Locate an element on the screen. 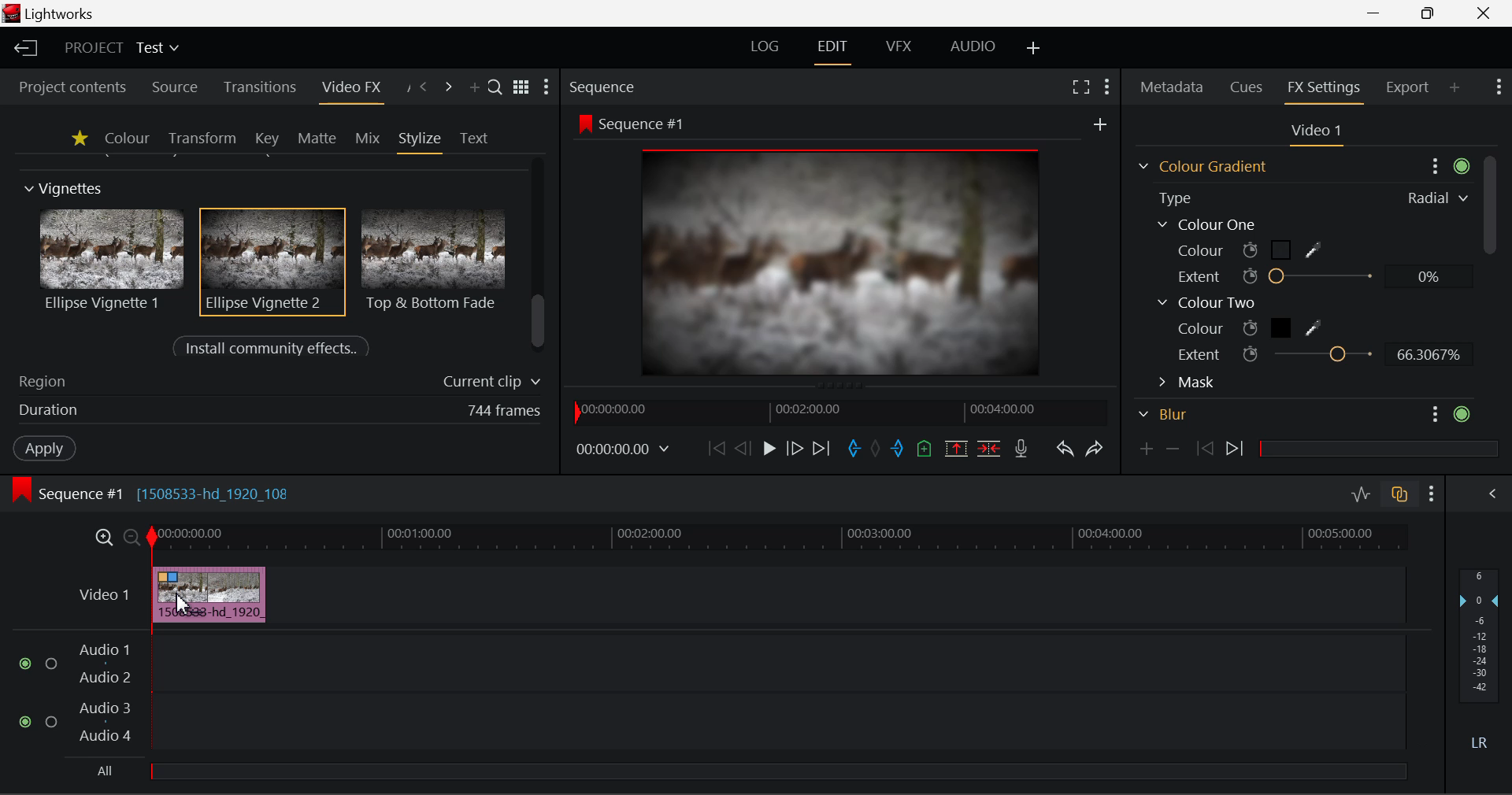 Image resolution: width=1512 pixels, height=795 pixels. cursor is located at coordinates (189, 592).